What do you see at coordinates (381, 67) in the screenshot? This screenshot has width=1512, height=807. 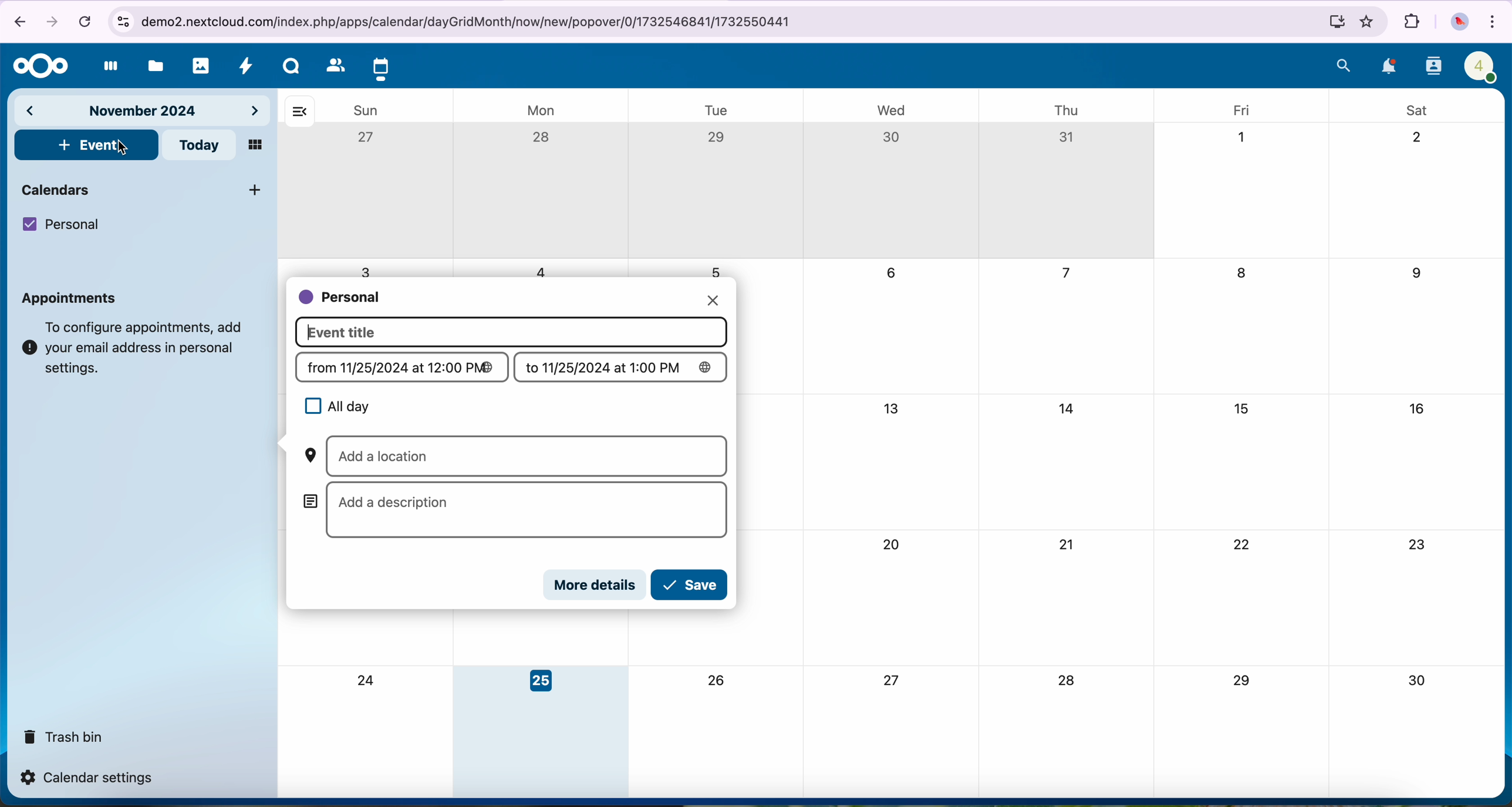 I see `click on calendar` at bounding box center [381, 67].